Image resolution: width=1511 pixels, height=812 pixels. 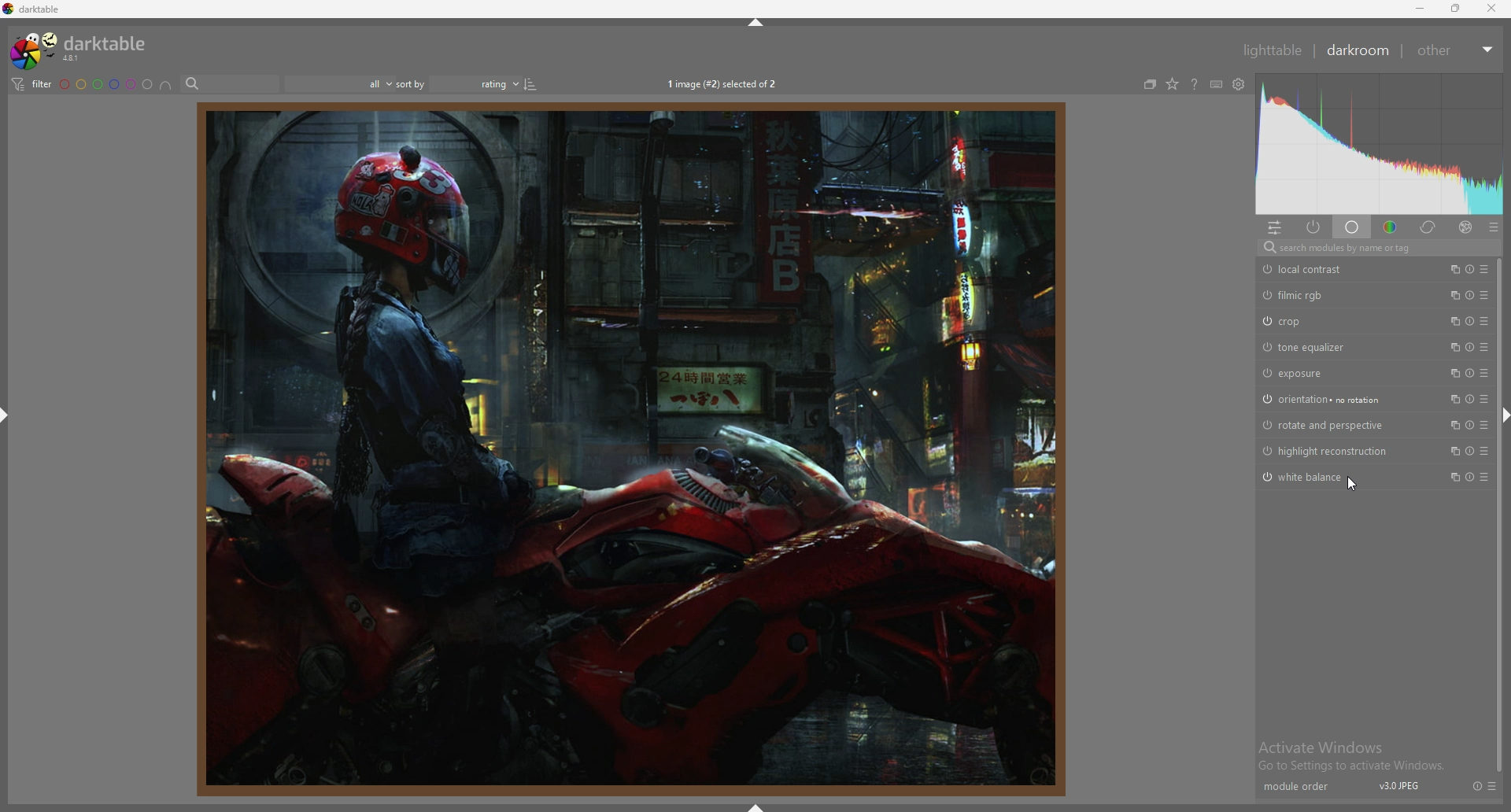 I want to click on exposure, so click(x=1317, y=373).